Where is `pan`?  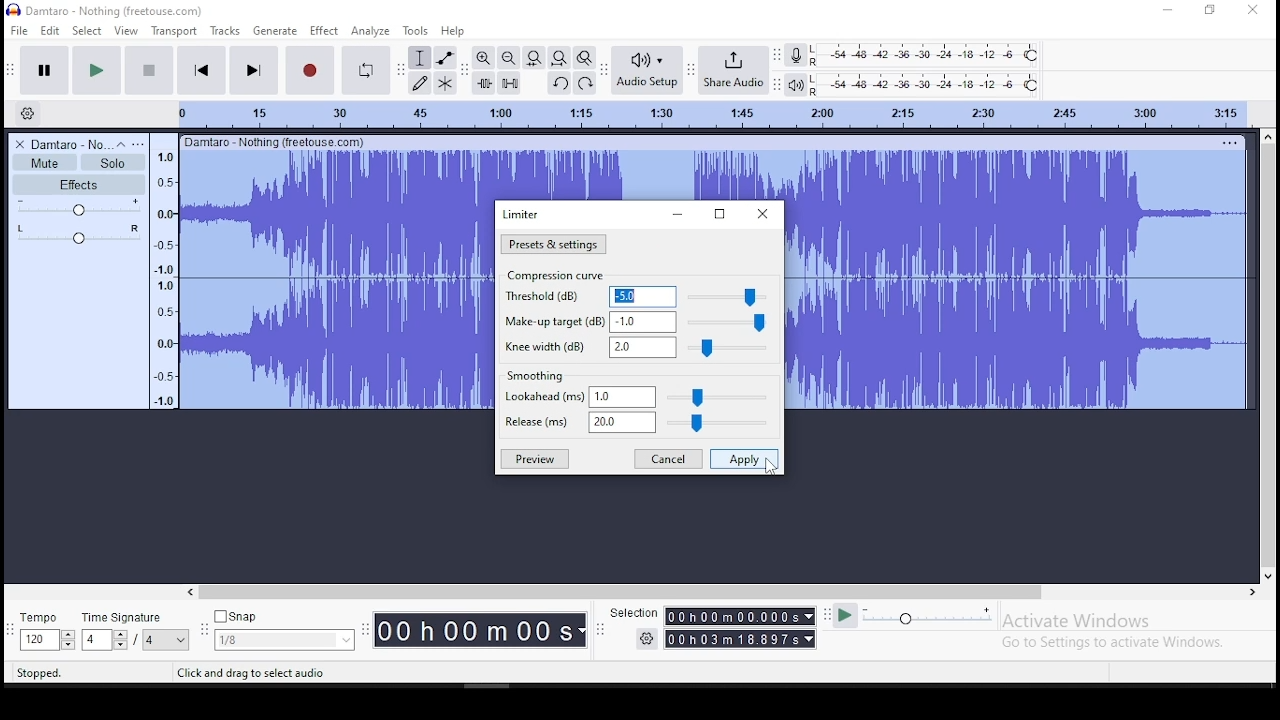
pan is located at coordinates (78, 233).